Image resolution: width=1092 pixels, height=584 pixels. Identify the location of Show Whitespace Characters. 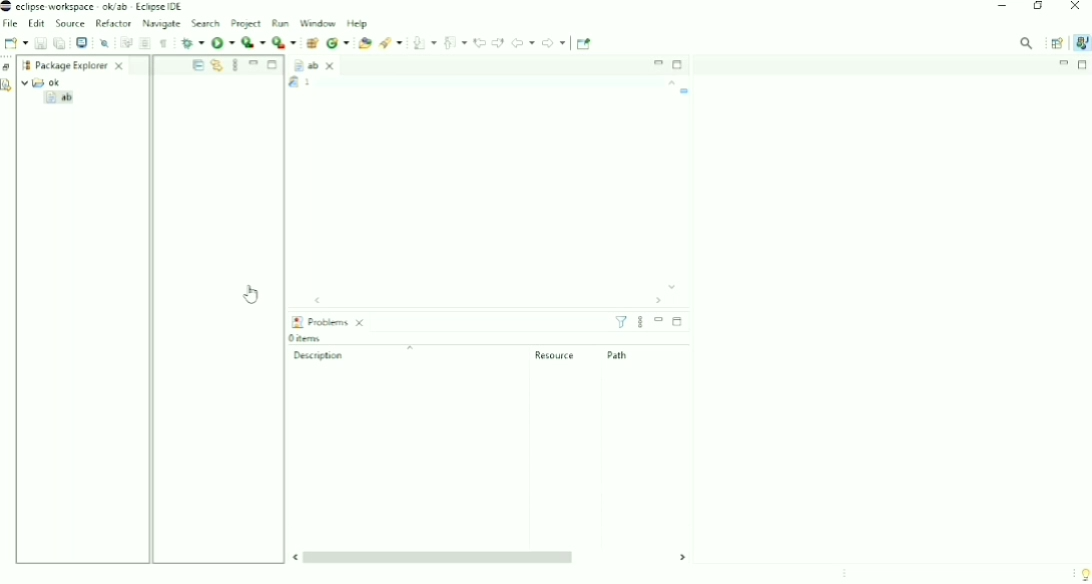
(164, 44).